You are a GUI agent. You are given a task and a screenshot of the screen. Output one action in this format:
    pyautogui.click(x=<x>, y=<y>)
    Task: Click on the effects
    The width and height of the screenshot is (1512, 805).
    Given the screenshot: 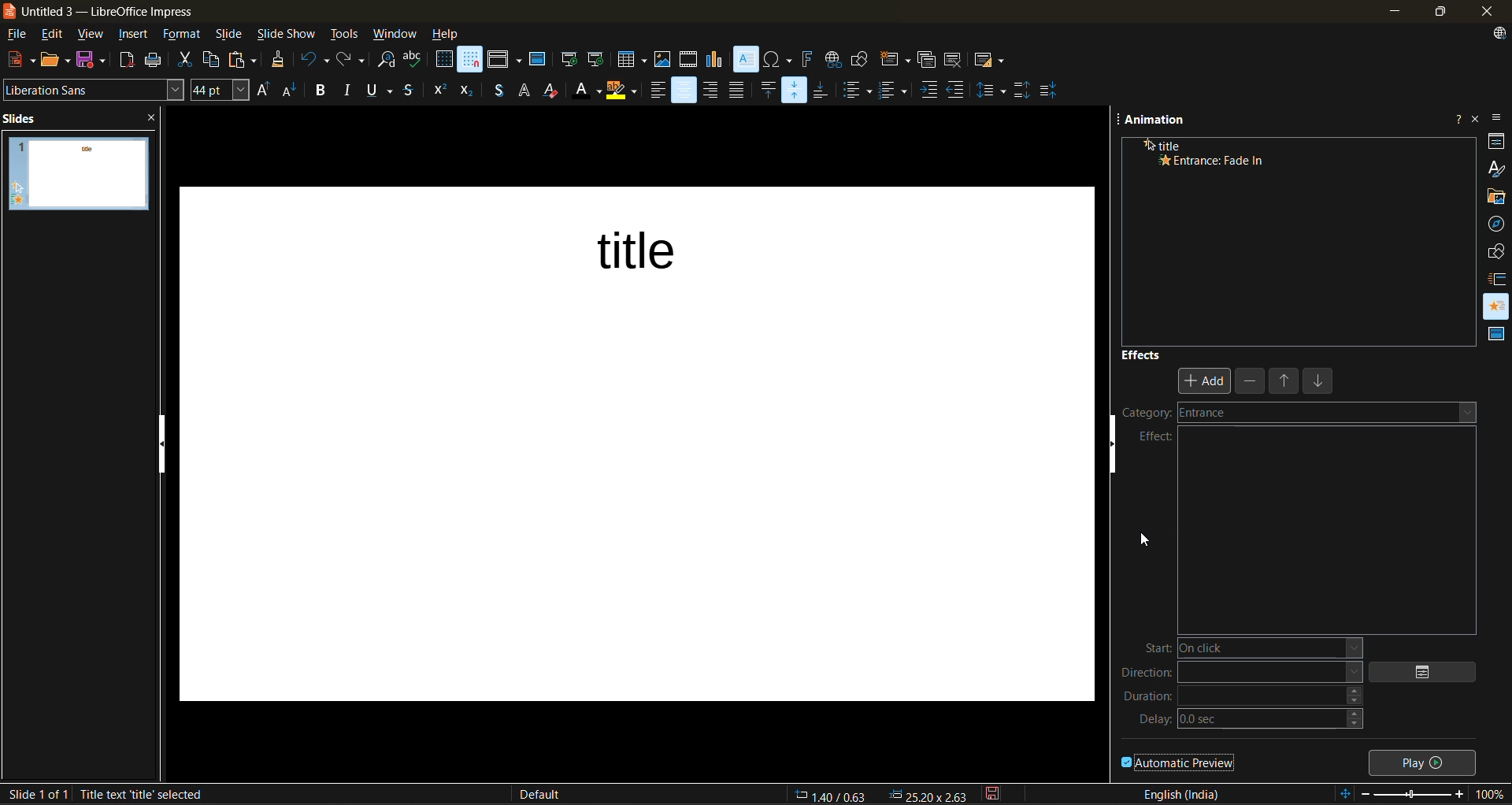 What is the action you would take?
    pyautogui.click(x=1142, y=354)
    